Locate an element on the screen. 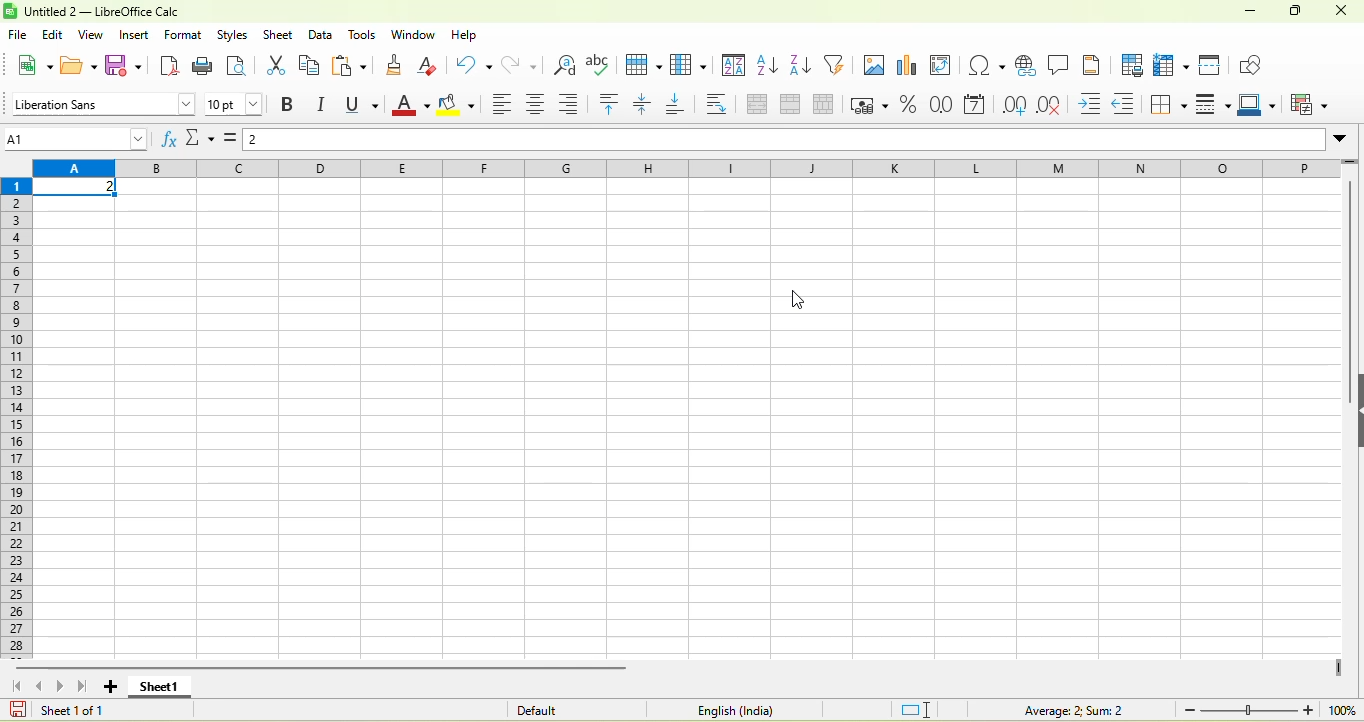  align right is located at coordinates (575, 104).